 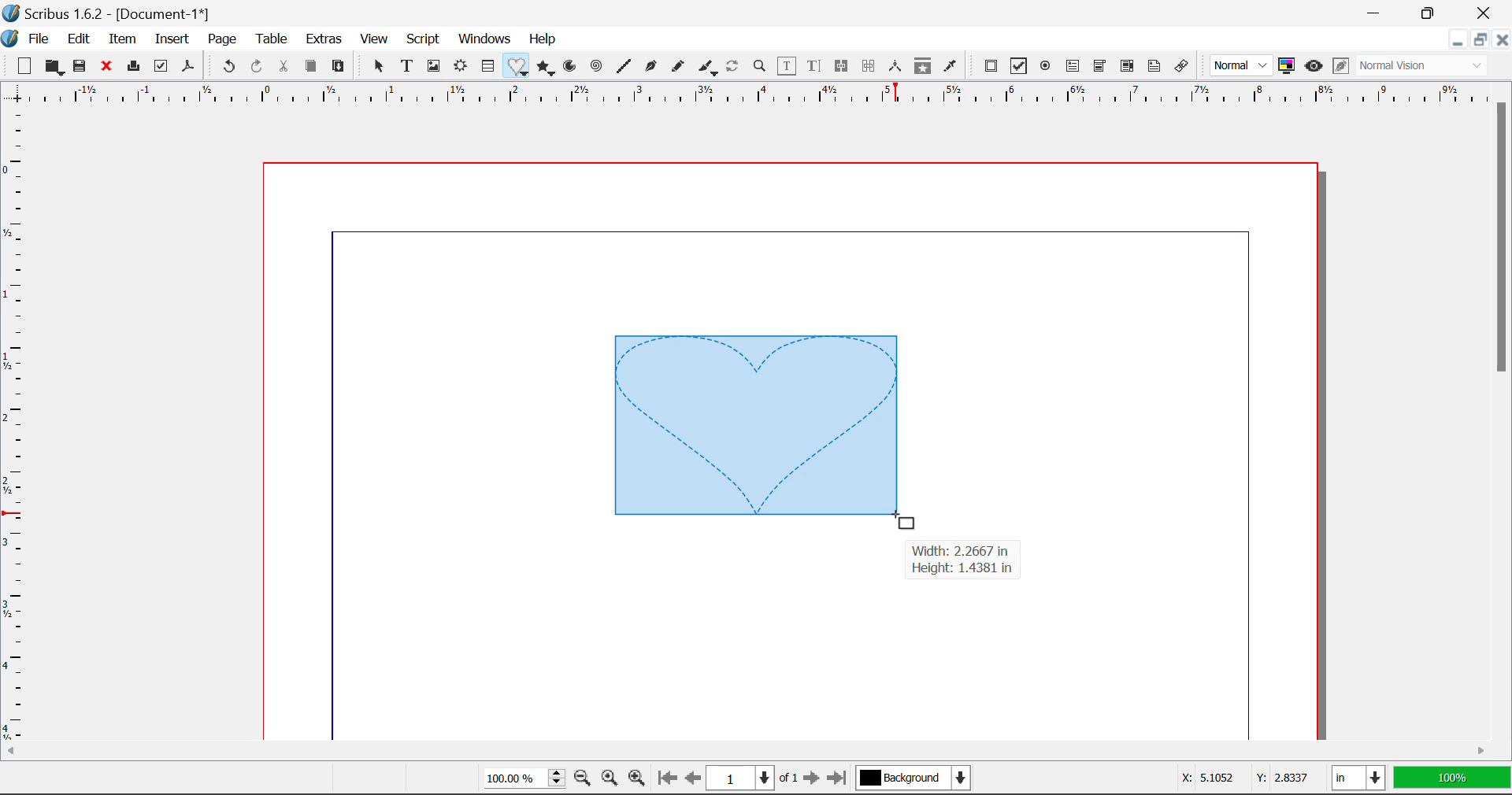 I want to click on Width: 2.2667 in Height: 1.4381 in, so click(x=981, y=562).